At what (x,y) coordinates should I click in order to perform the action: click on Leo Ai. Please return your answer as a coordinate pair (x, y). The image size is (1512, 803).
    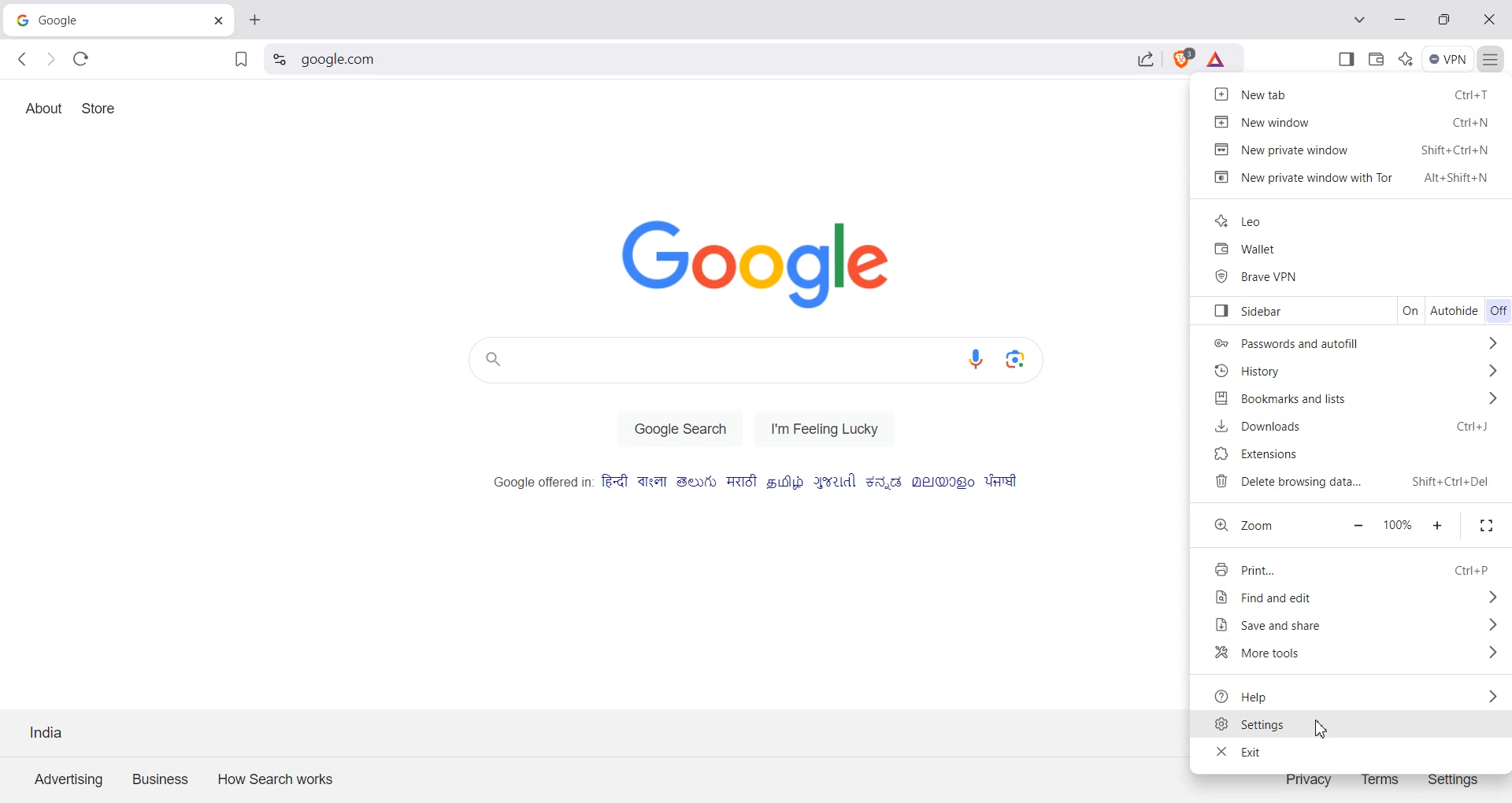
    Looking at the image, I should click on (1406, 57).